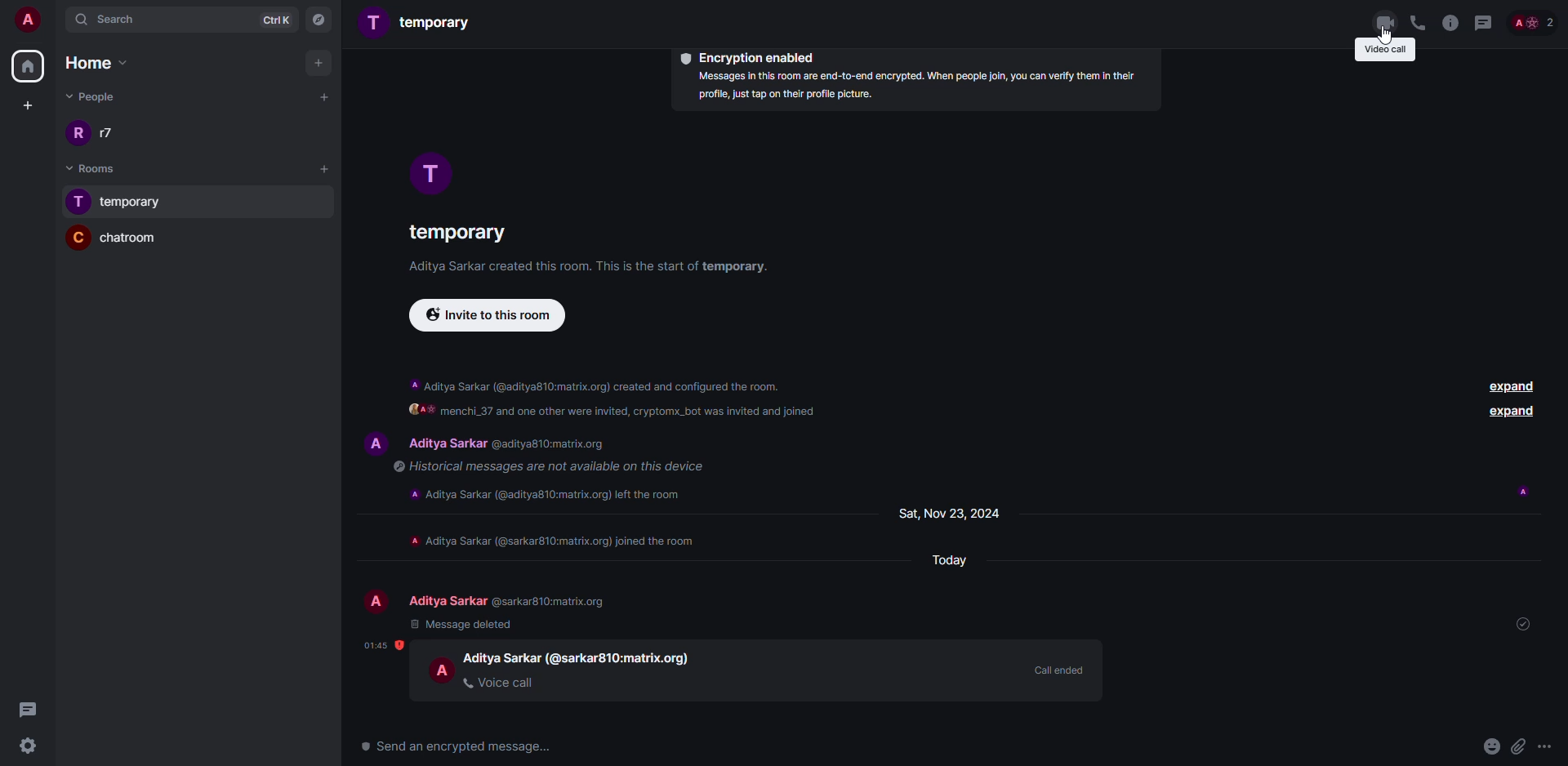  Describe the element at coordinates (34, 745) in the screenshot. I see `settings` at that location.